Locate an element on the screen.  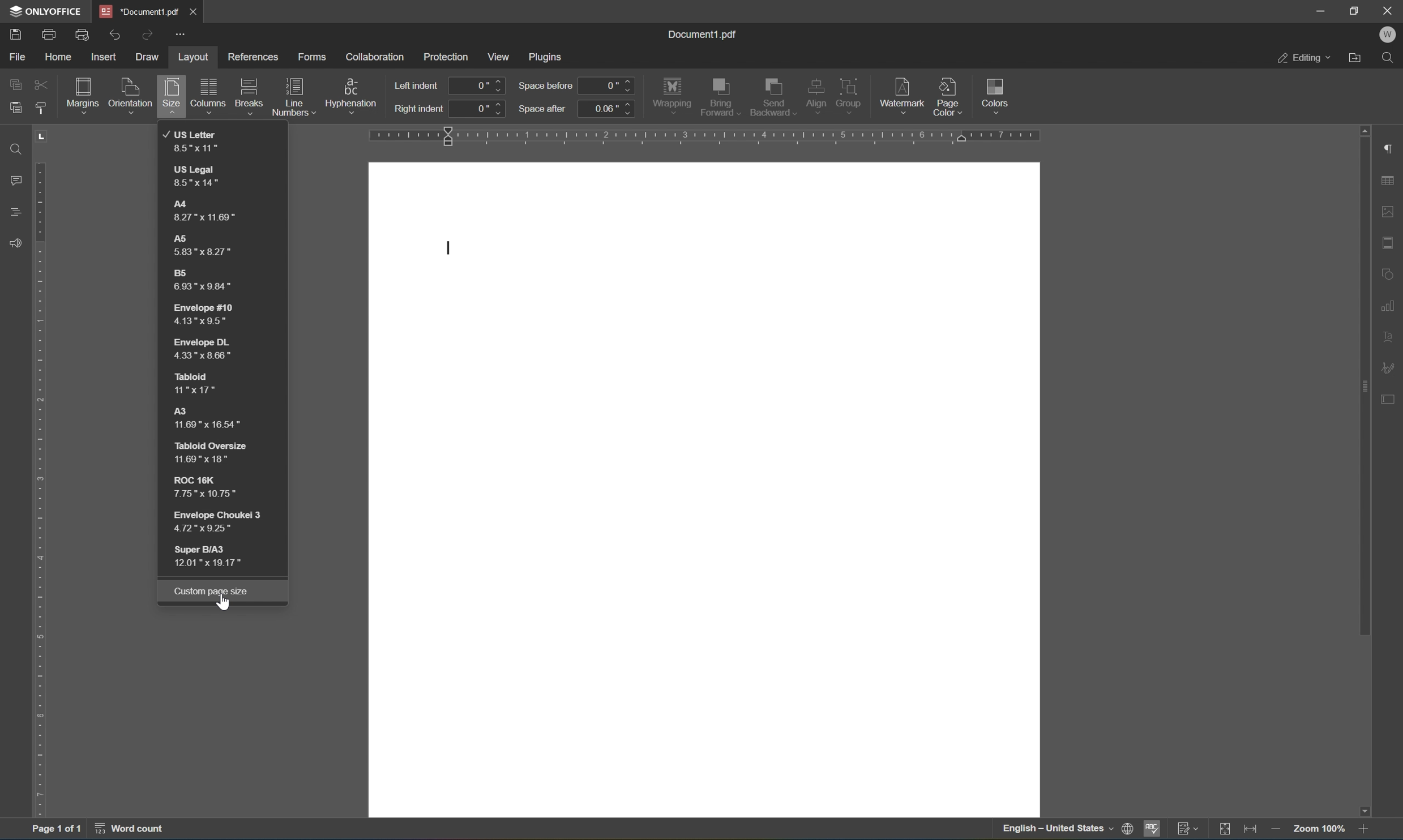
text art settings is located at coordinates (1391, 335).